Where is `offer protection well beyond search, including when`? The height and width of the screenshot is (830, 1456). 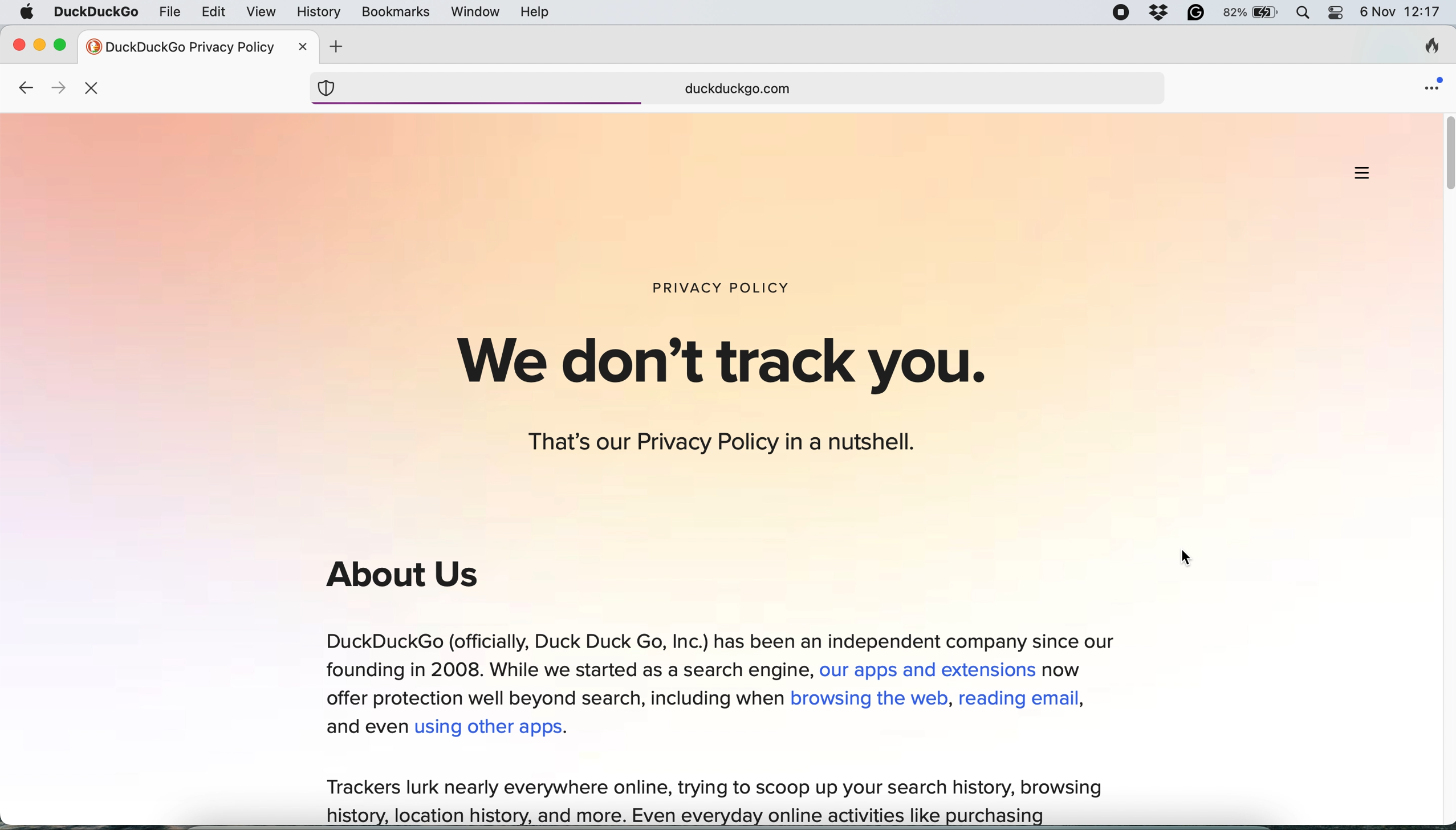
offer protection well beyond search, including when is located at coordinates (548, 698).